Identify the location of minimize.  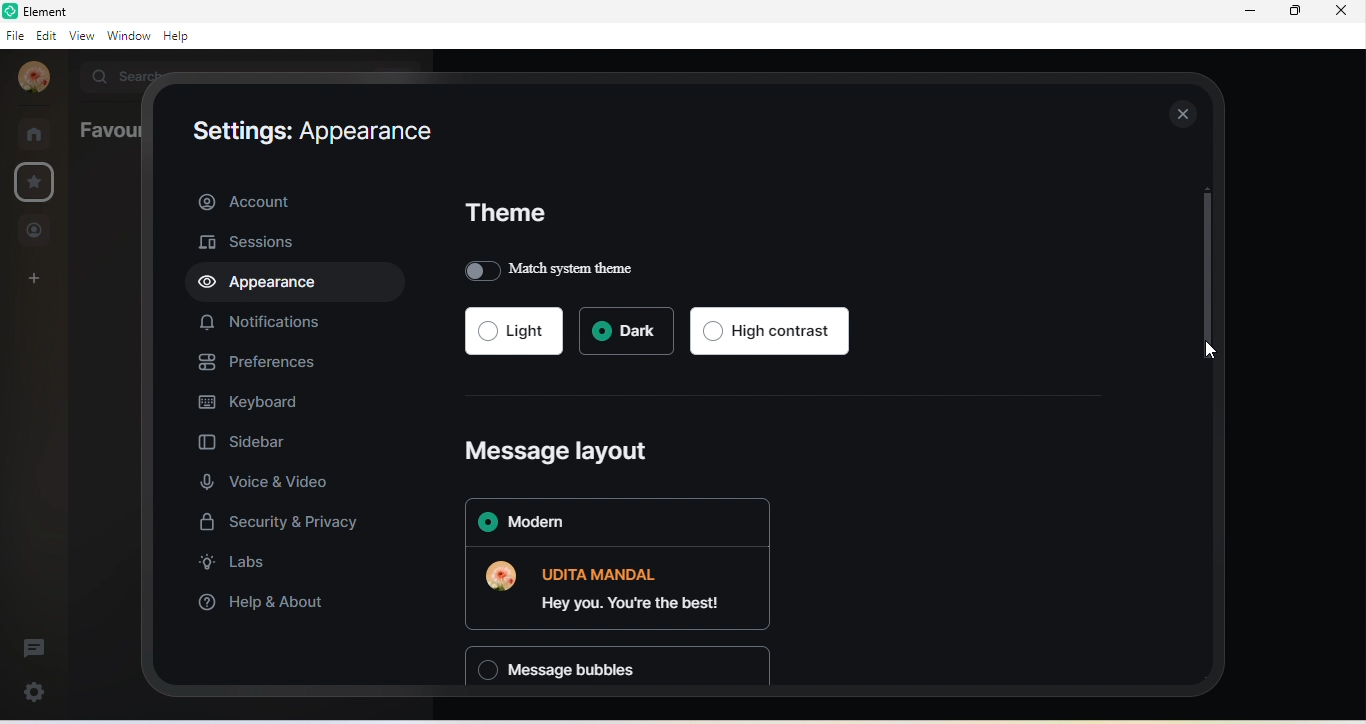
(1250, 12).